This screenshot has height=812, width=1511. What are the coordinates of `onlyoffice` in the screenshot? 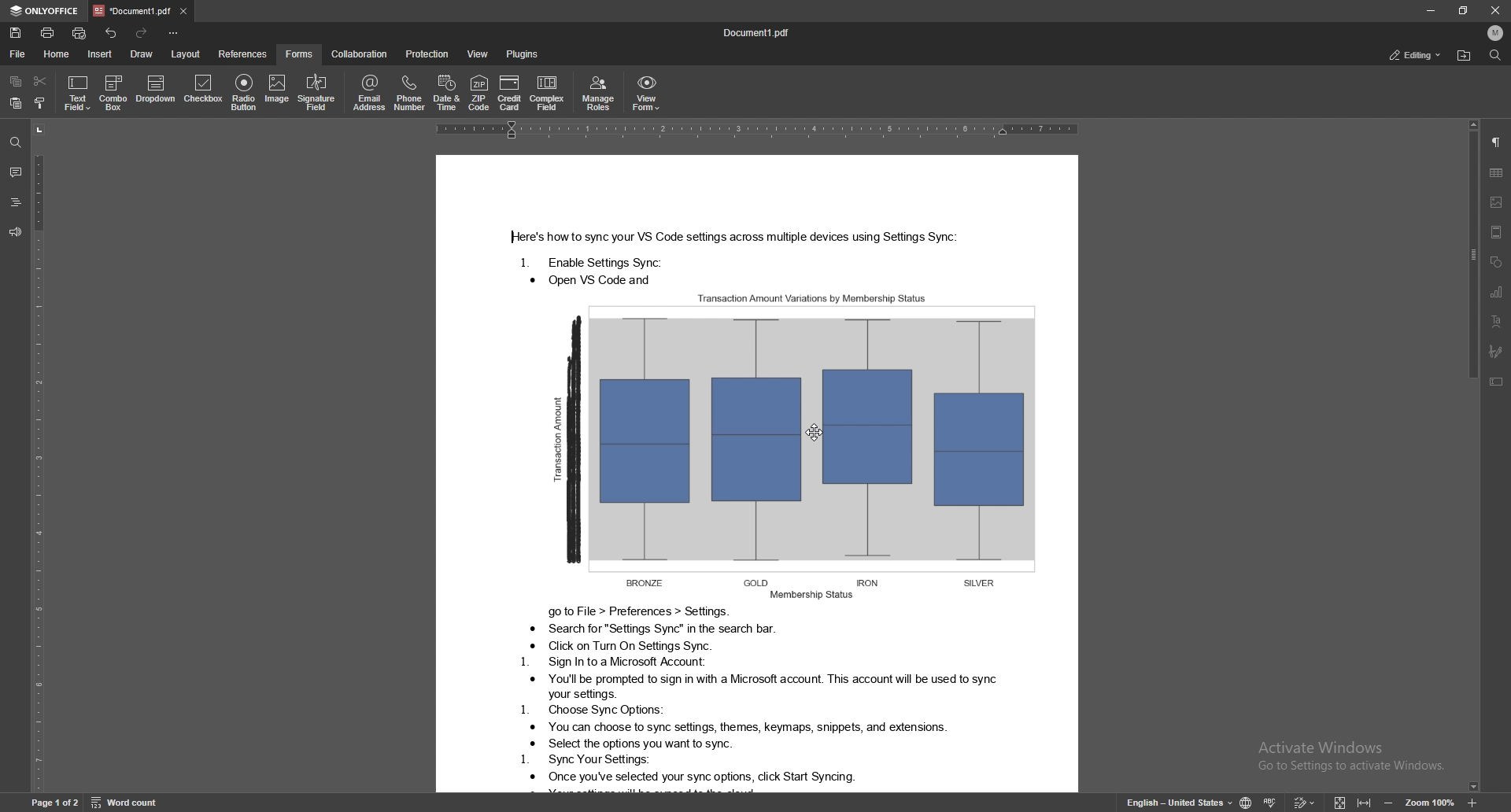 It's located at (44, 10).